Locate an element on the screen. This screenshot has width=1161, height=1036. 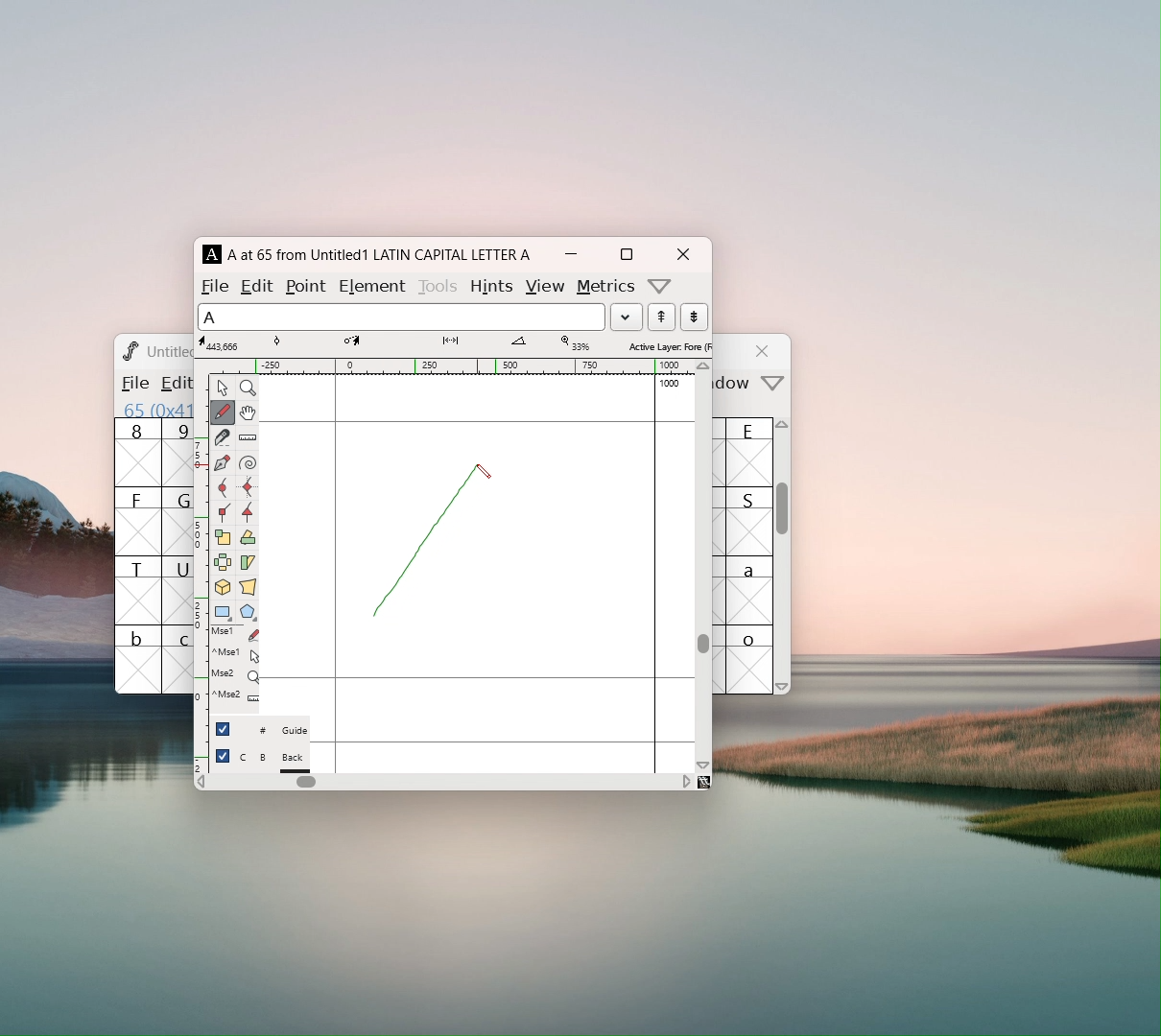
b is located at coordinates (138, 659).